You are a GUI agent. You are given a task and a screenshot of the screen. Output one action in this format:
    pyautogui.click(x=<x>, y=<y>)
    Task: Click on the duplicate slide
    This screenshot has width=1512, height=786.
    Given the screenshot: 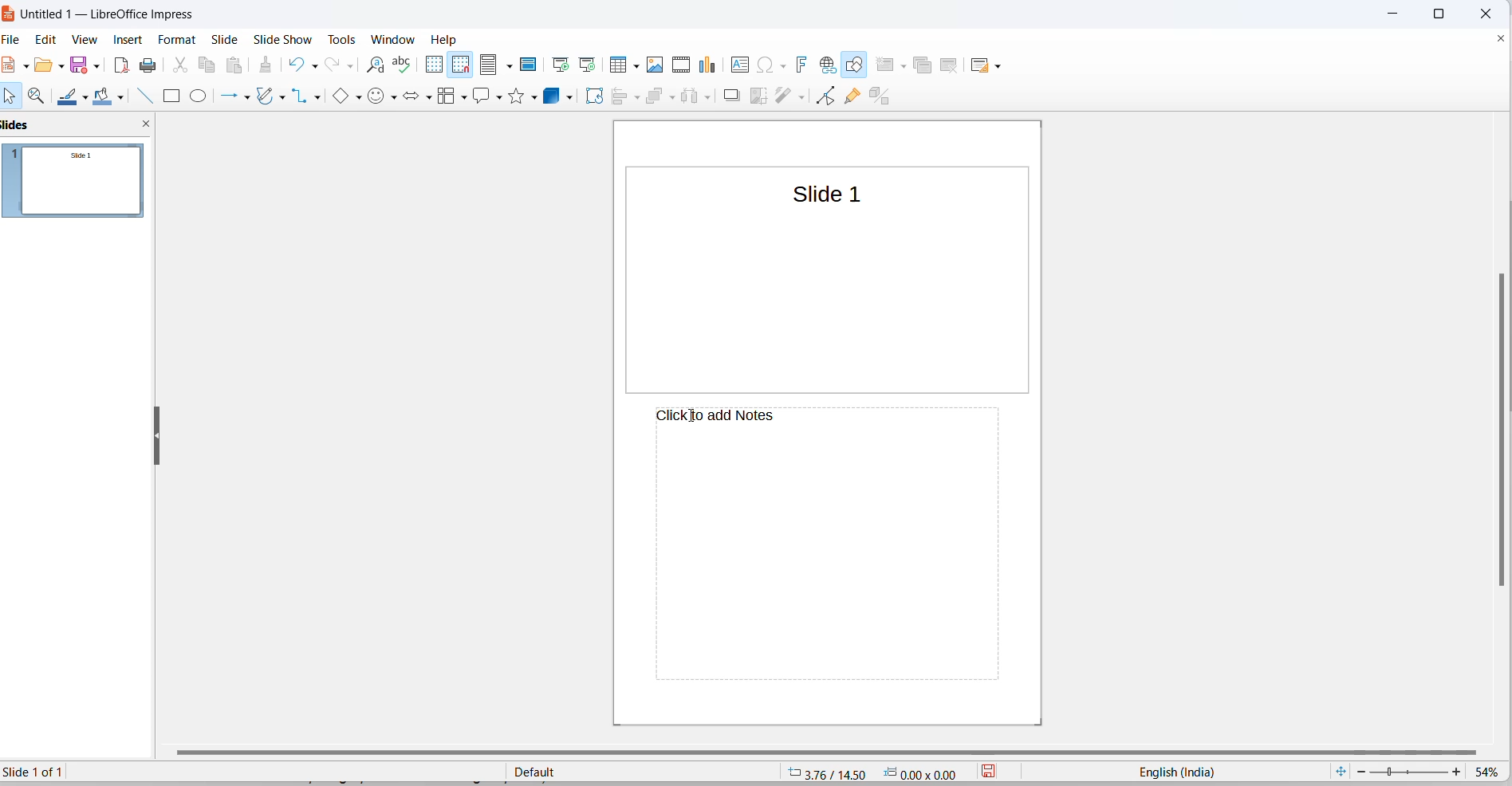 What is the action you would take?
    pyautogui.click(x=925, y=65)
    